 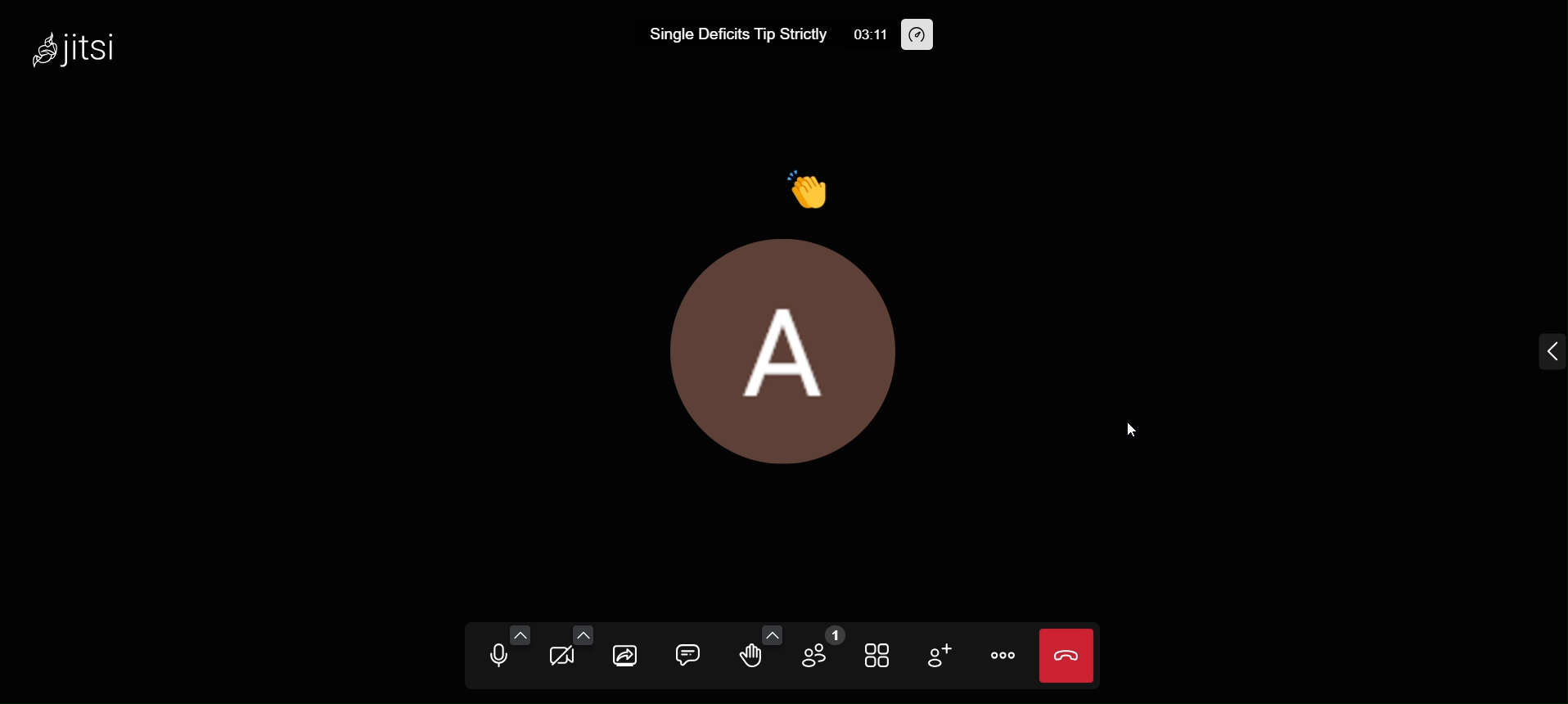 What do you see at coordinates (777, 365) in the screenshot?
I see `display picture` at bounding box center [777, 365].